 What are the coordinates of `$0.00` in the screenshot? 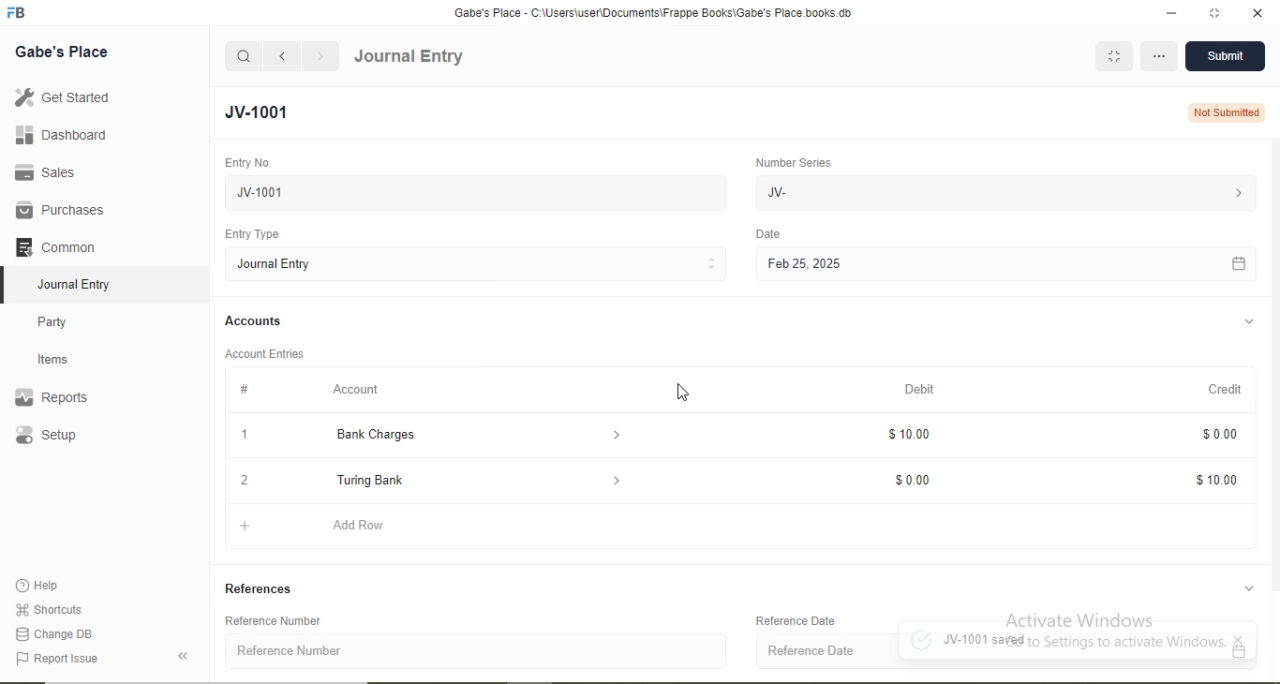 It's located at (911, 482).